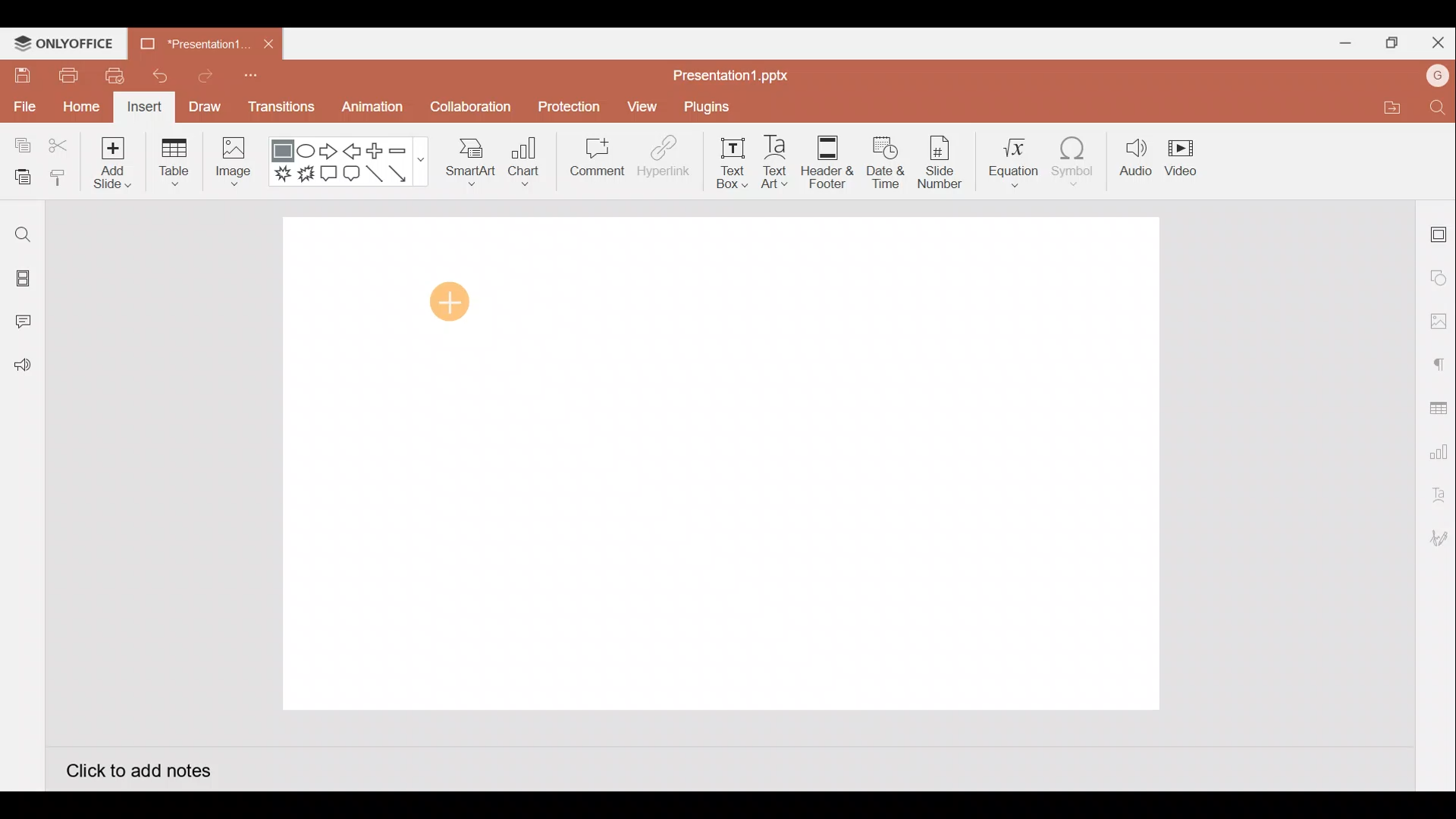  I want to click on Image, so click(231, 165).